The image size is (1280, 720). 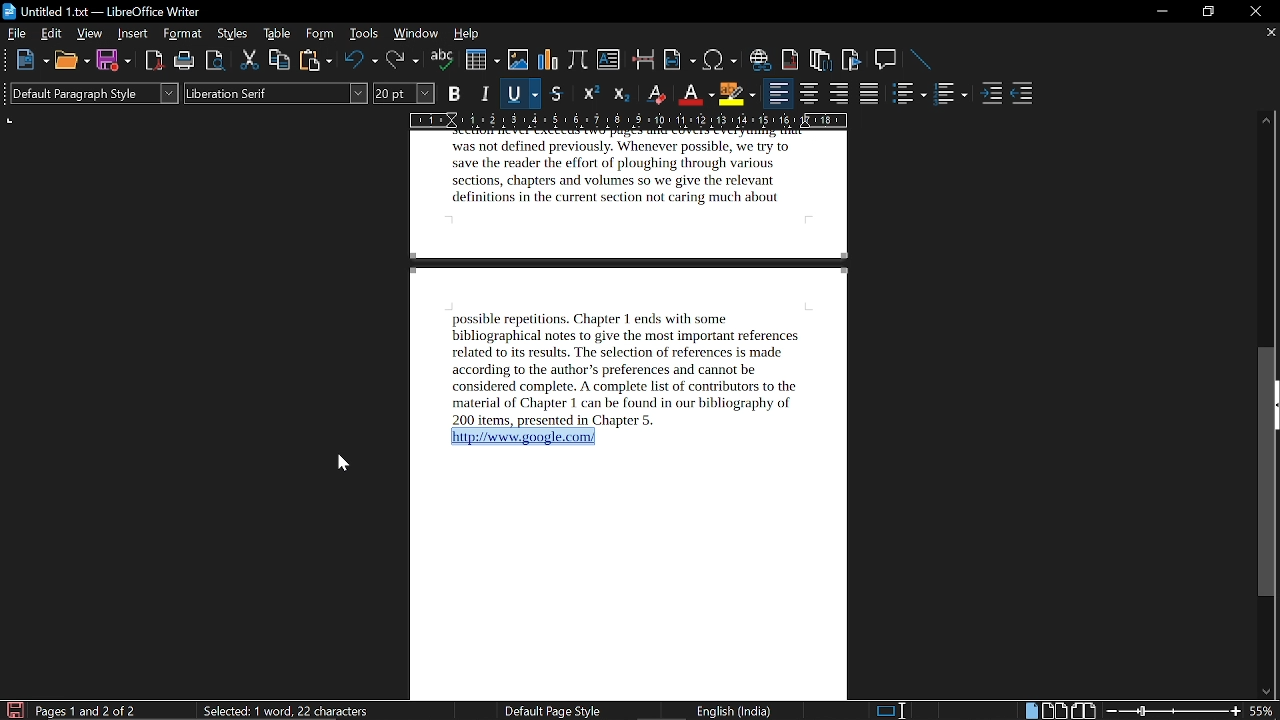 I want to click on book view, so click(x=1083, y=709).